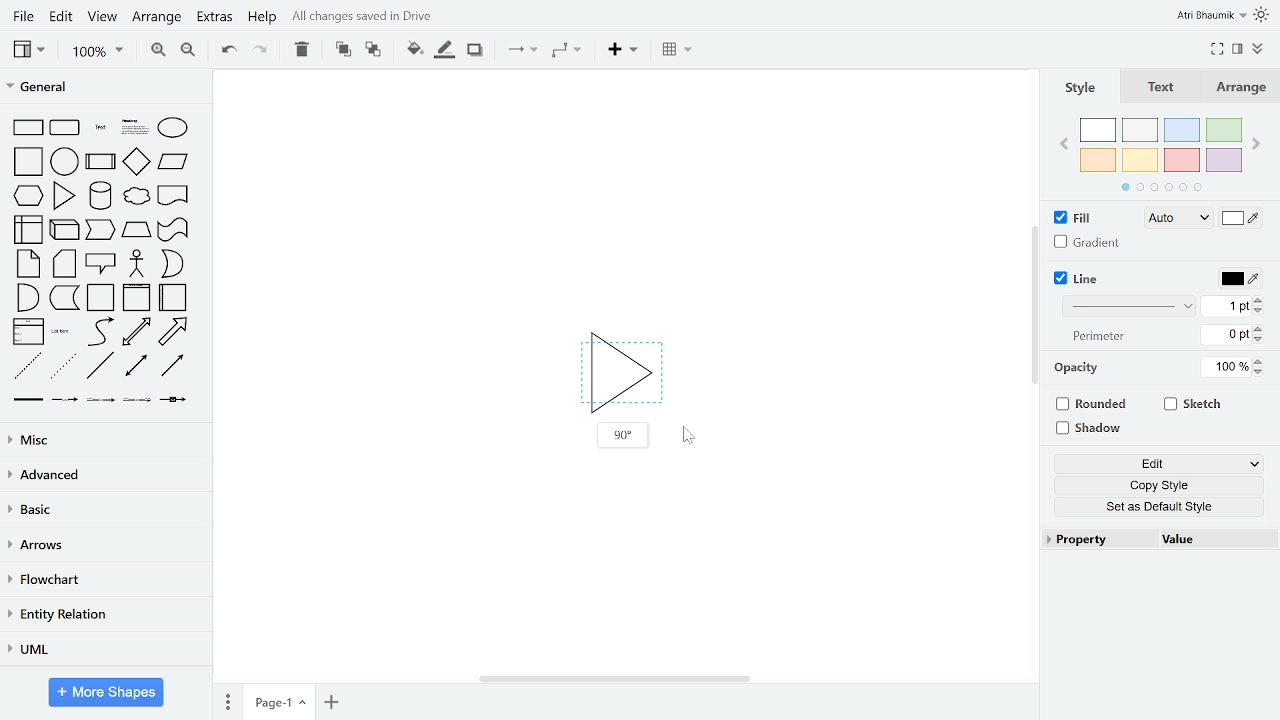 The width and height of the screenshot is (1280, 720). I want to click on list item, so click(62, 333).